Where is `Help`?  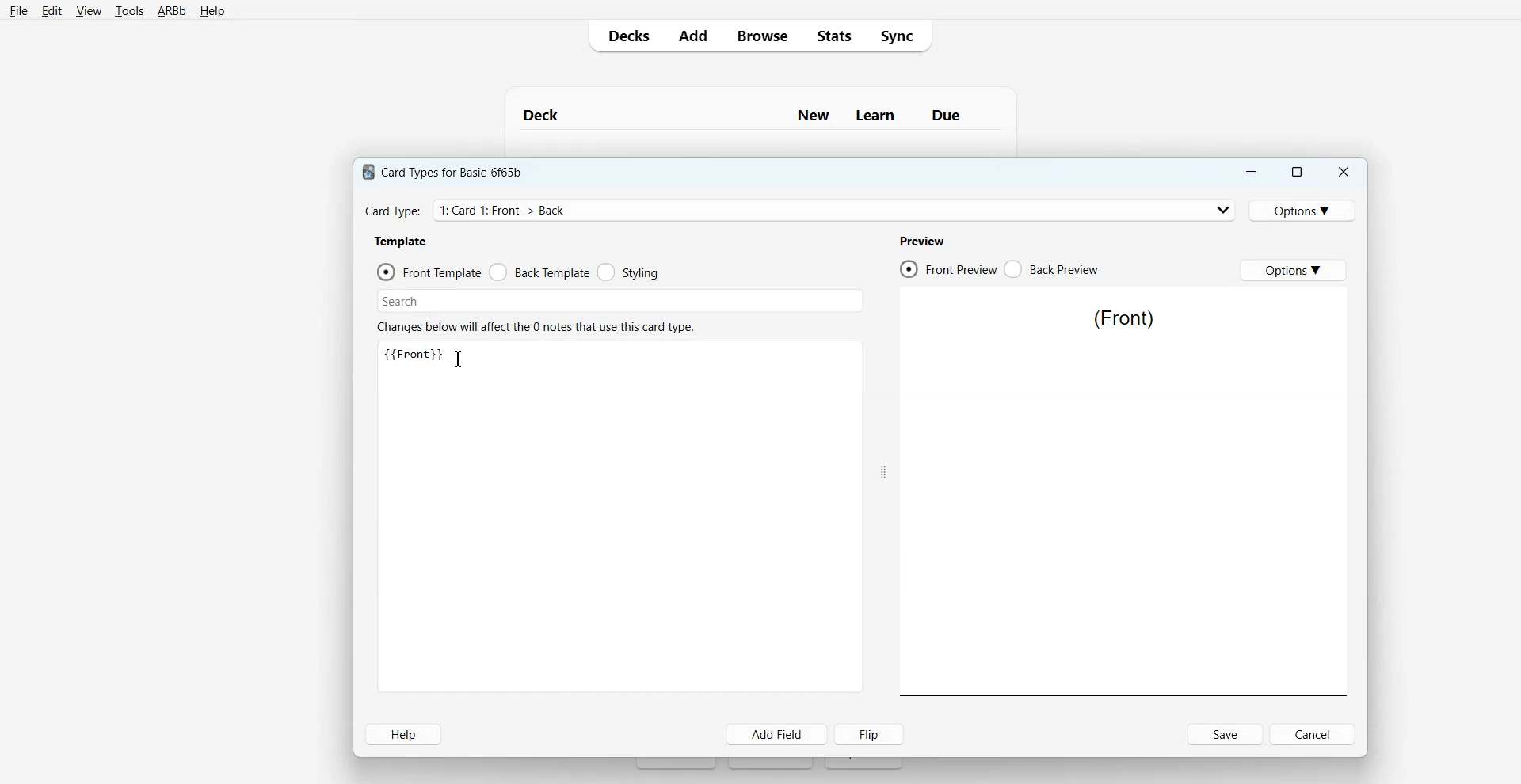 Help is located at coordinates (211, 12).